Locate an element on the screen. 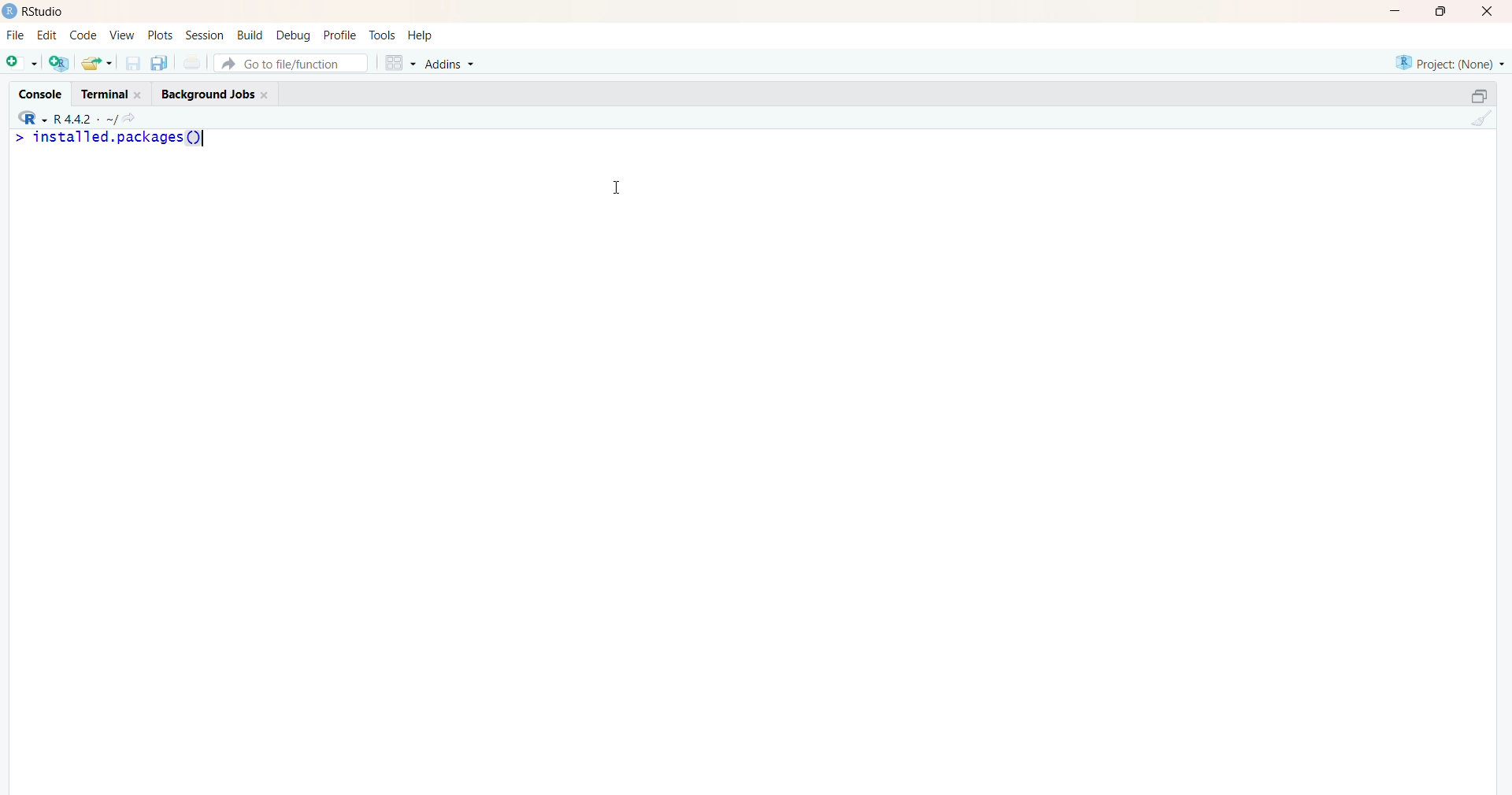  create a project is located at coordinates (58, 63).